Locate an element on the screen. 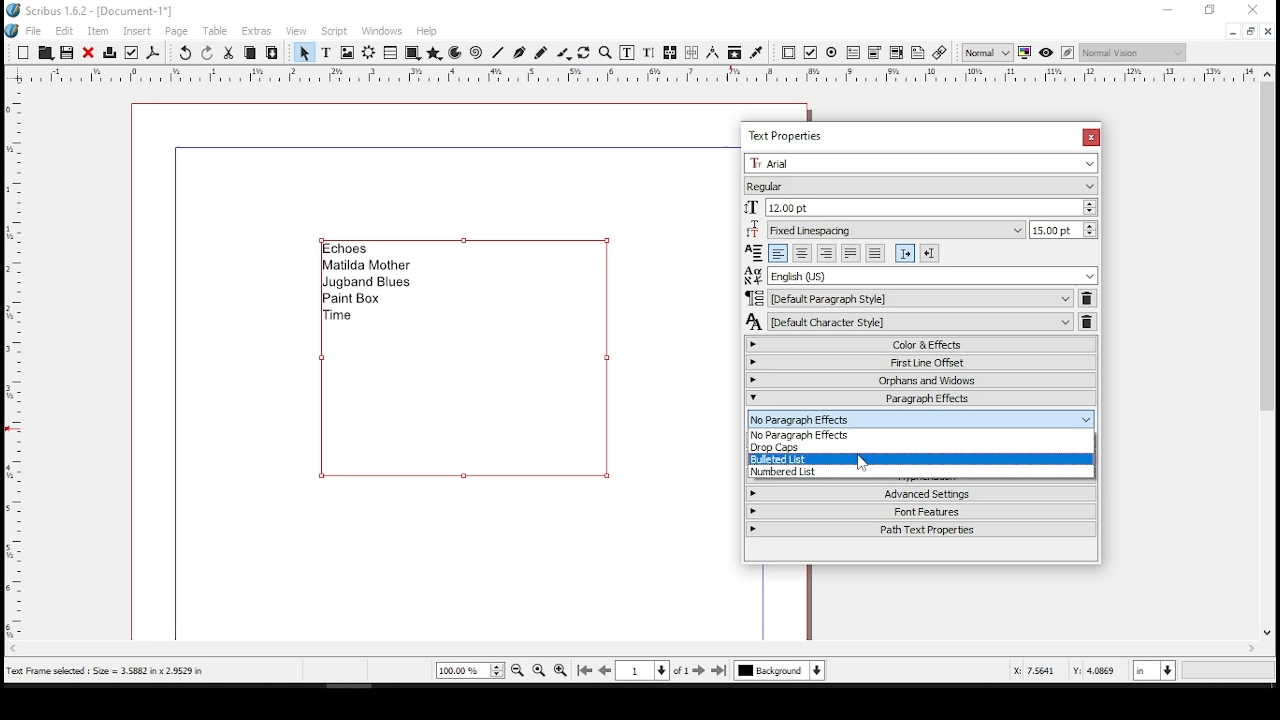 The height and width of the screenshot is (720, 1280). measurements is located at coordinates (712, 53).